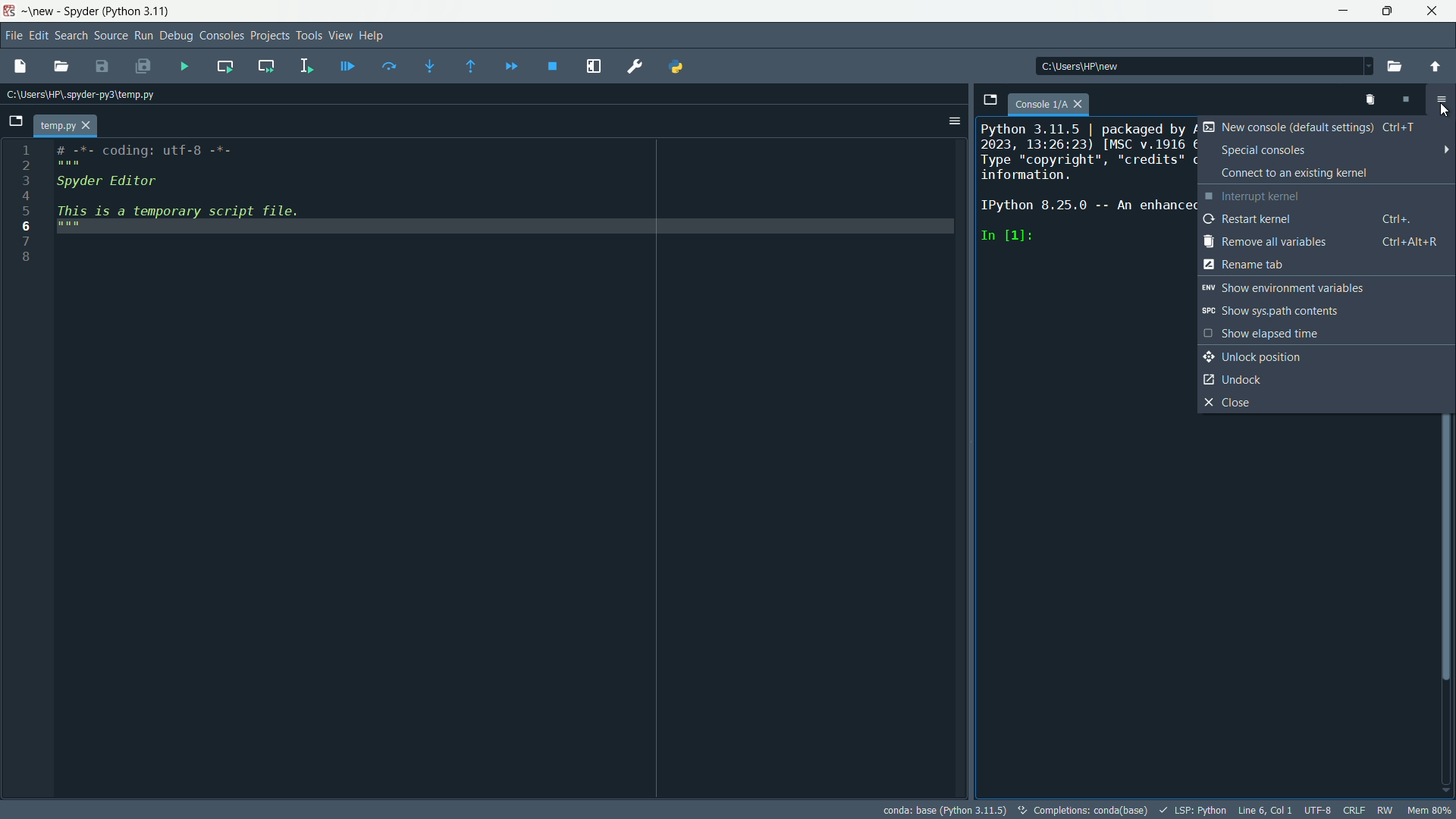  Describe the element at coordinates (1435, 67) in the screenshot. I see `change to parent directory` at that location.